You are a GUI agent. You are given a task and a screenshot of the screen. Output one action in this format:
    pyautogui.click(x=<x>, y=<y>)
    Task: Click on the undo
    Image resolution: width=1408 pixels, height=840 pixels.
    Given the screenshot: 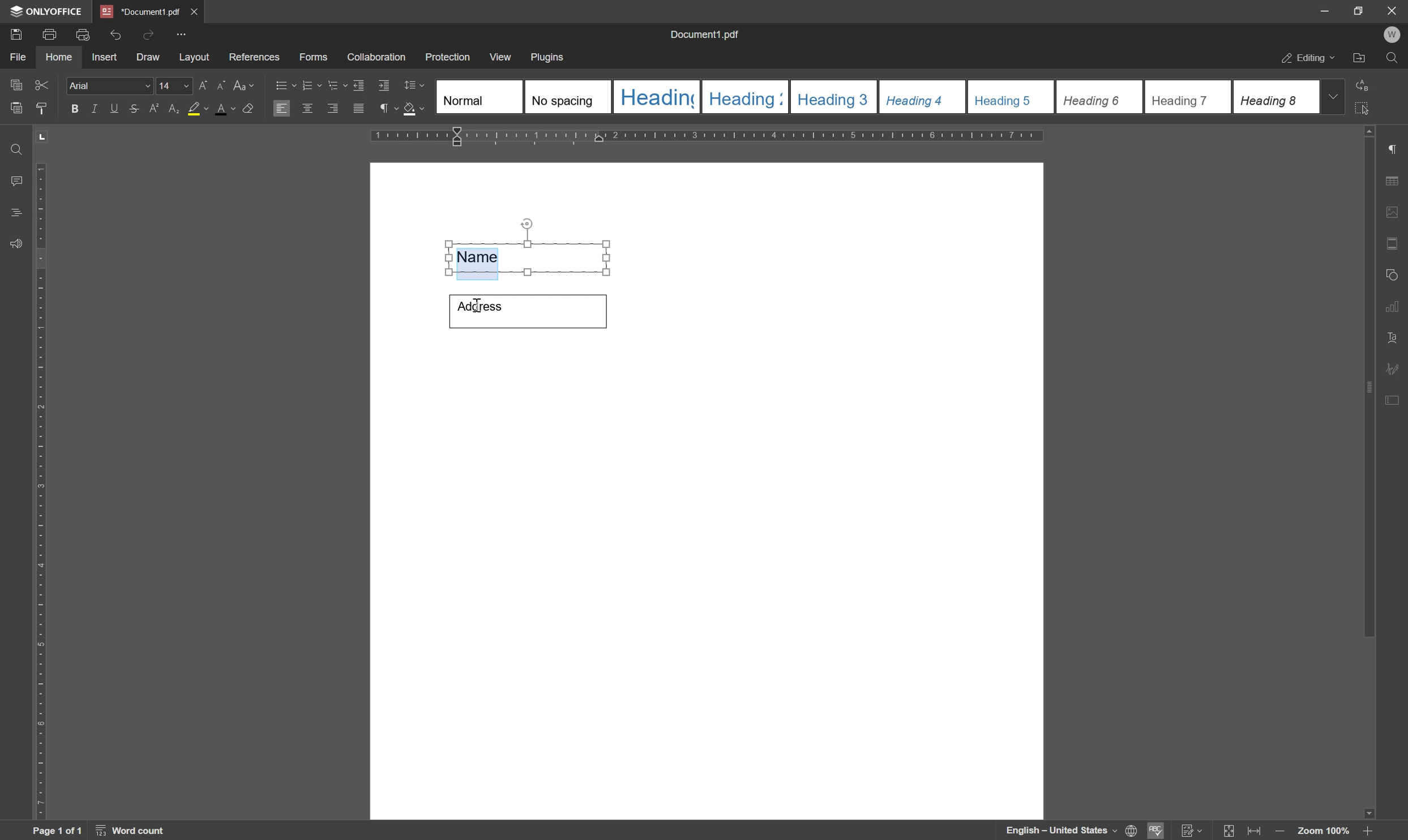 What is the action you would take?
    pyautogui.click(x=115, y=32)
    